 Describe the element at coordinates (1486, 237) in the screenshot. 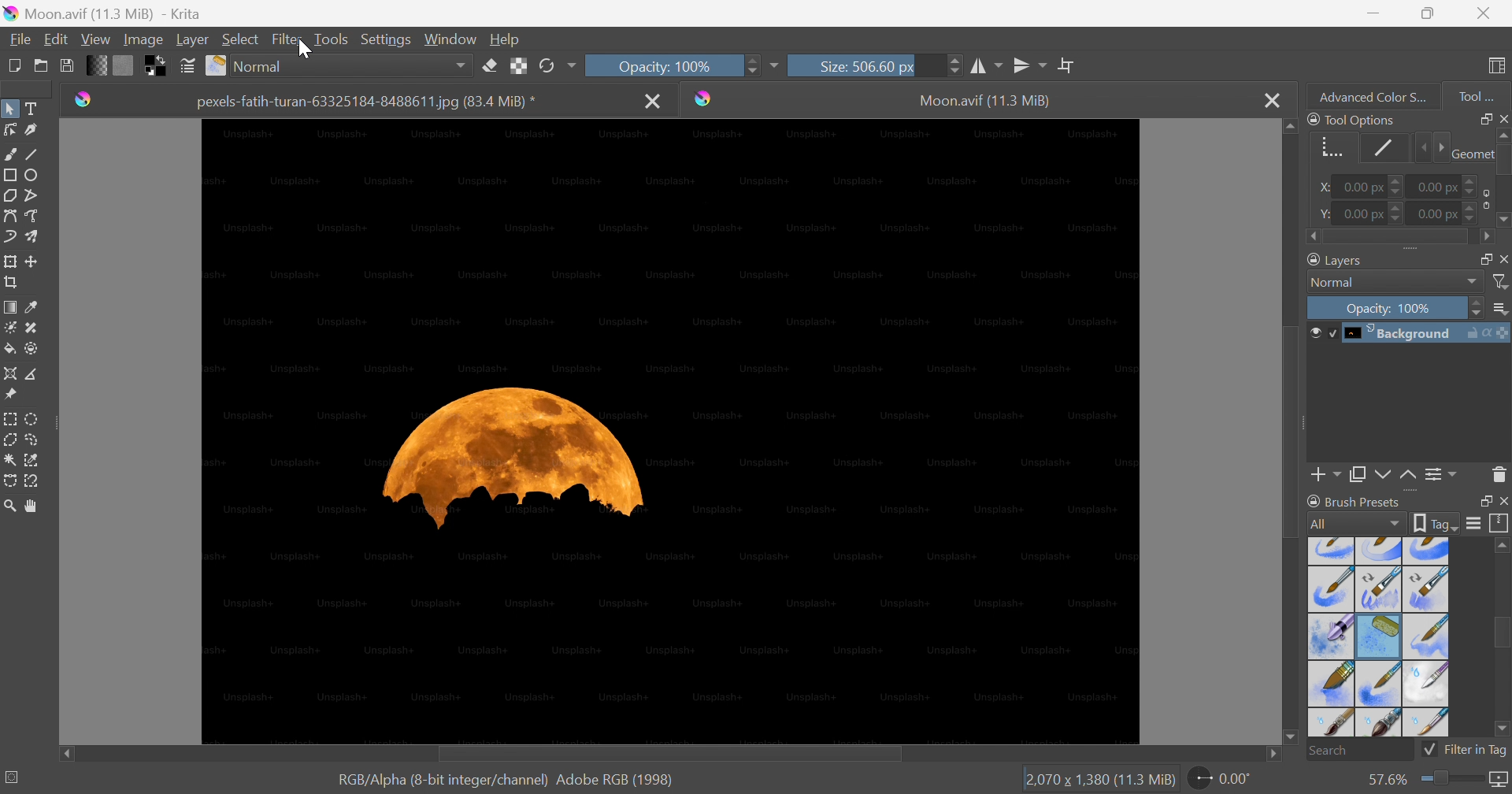

I see `Scroll right` at that location.